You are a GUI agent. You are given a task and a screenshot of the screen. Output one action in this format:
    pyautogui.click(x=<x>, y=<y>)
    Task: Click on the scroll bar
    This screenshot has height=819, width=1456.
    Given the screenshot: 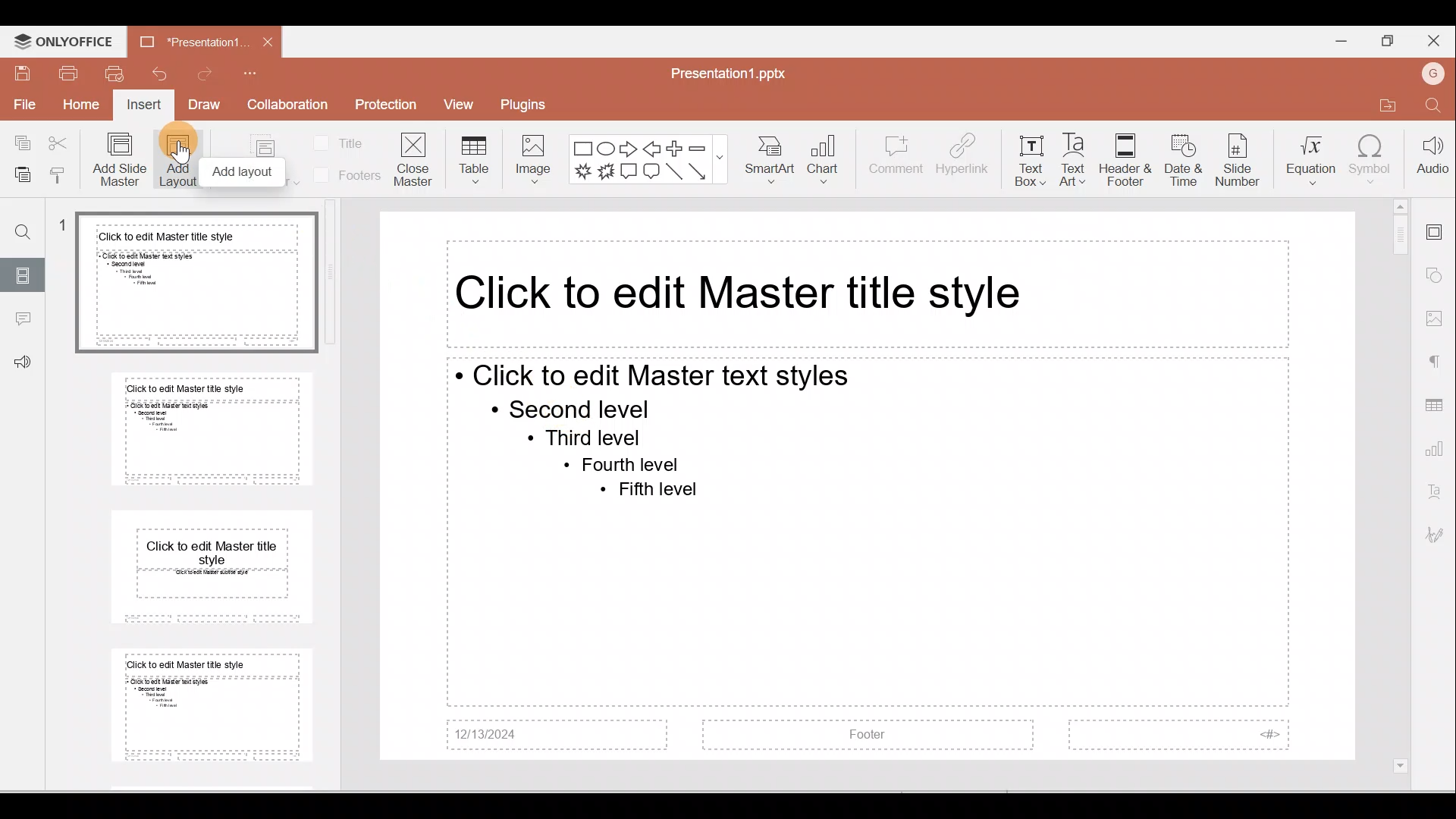 What is the action you would take?
    pyautogui.click(x=1398, y=484)
    